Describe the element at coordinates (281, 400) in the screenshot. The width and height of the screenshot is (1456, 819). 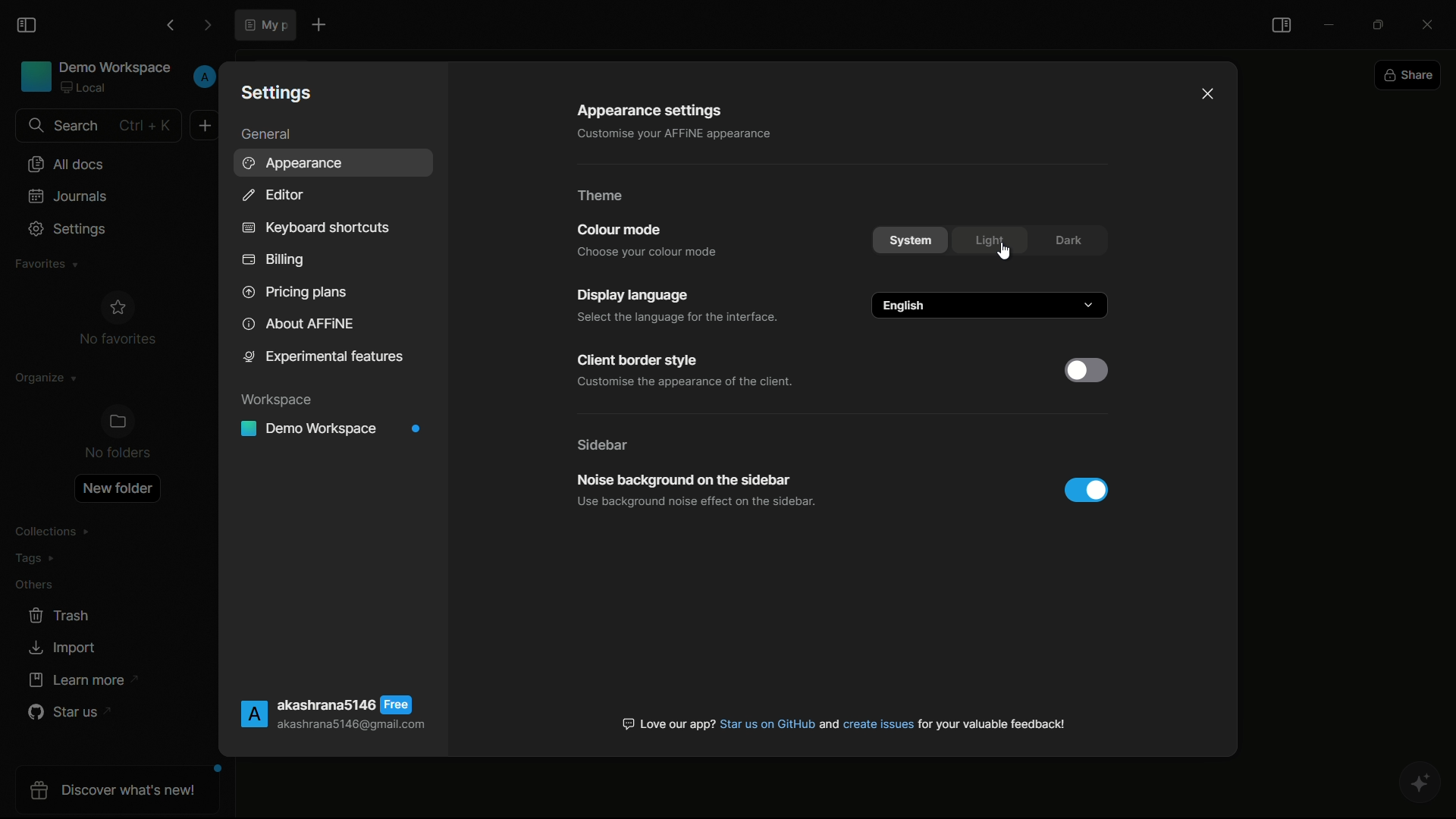
I see `workspace` at that location.